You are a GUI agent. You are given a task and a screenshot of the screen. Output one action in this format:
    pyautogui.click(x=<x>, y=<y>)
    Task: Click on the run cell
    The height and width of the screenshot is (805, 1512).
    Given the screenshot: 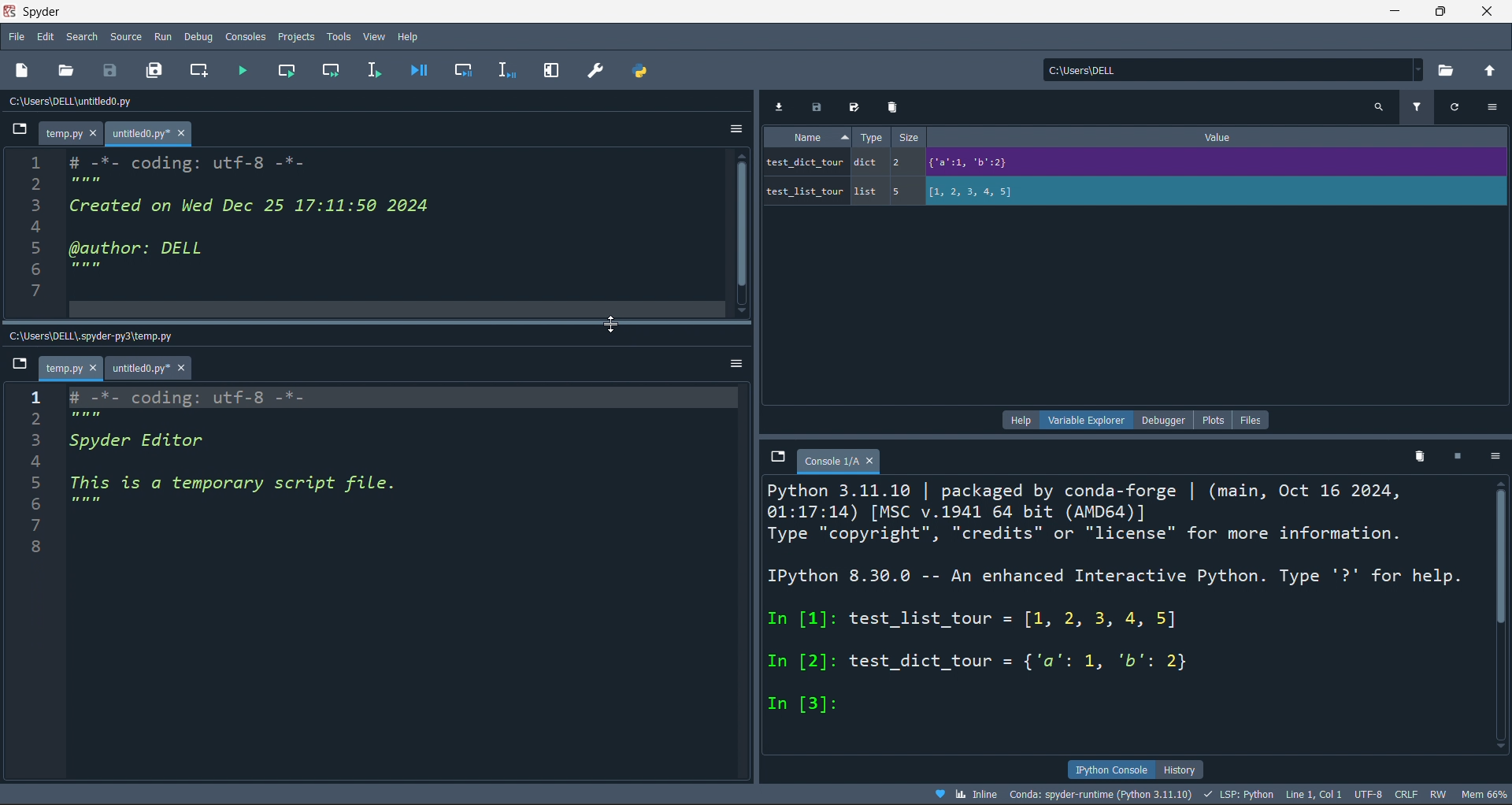 What is the action you would take?
    pyautogui.click(x=287, y=72)
    